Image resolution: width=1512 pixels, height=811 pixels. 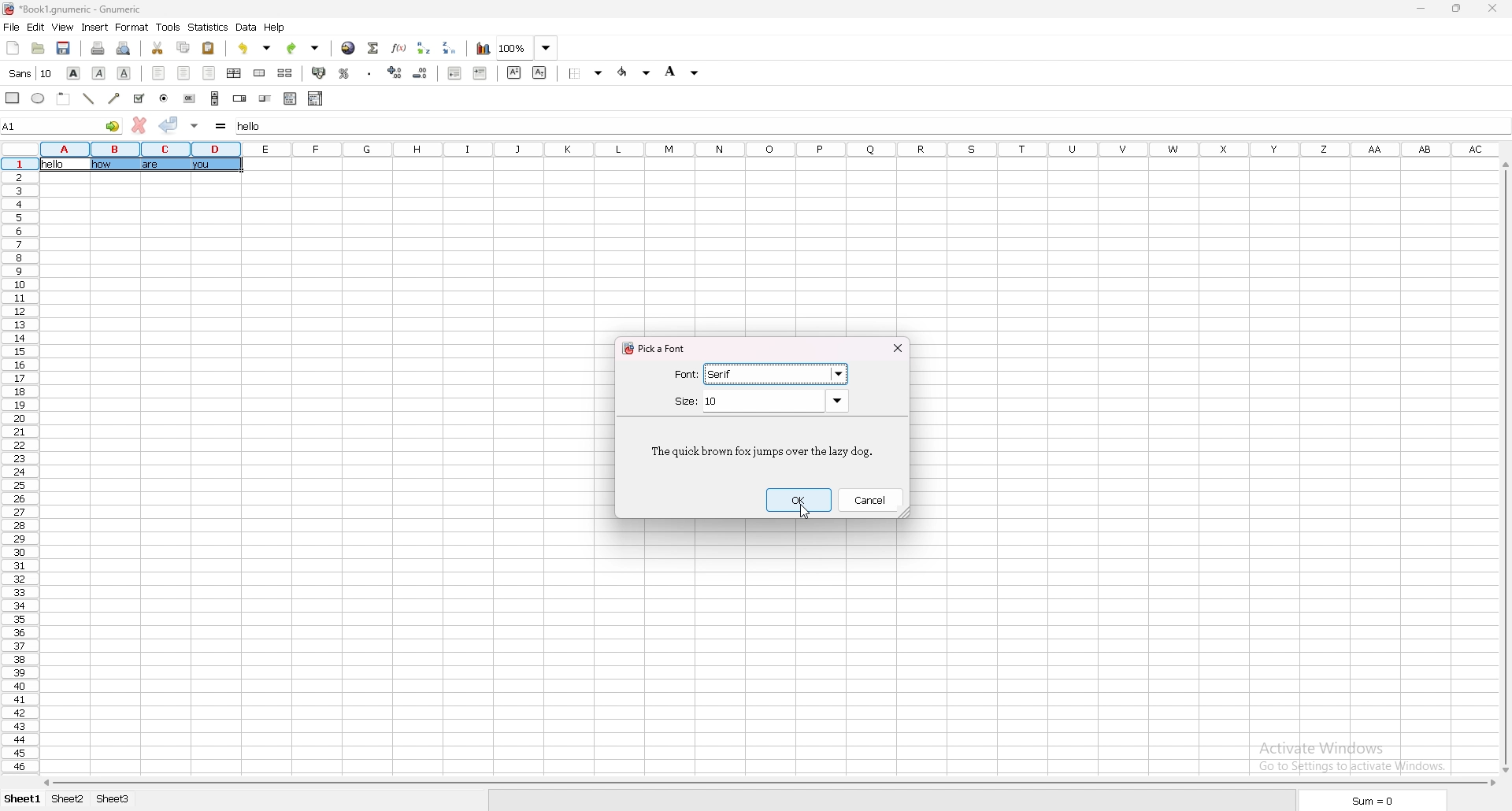 What do you see at coordinates (898, 347) in the screenshot?
I see `close` at bounding box center [898, 347].